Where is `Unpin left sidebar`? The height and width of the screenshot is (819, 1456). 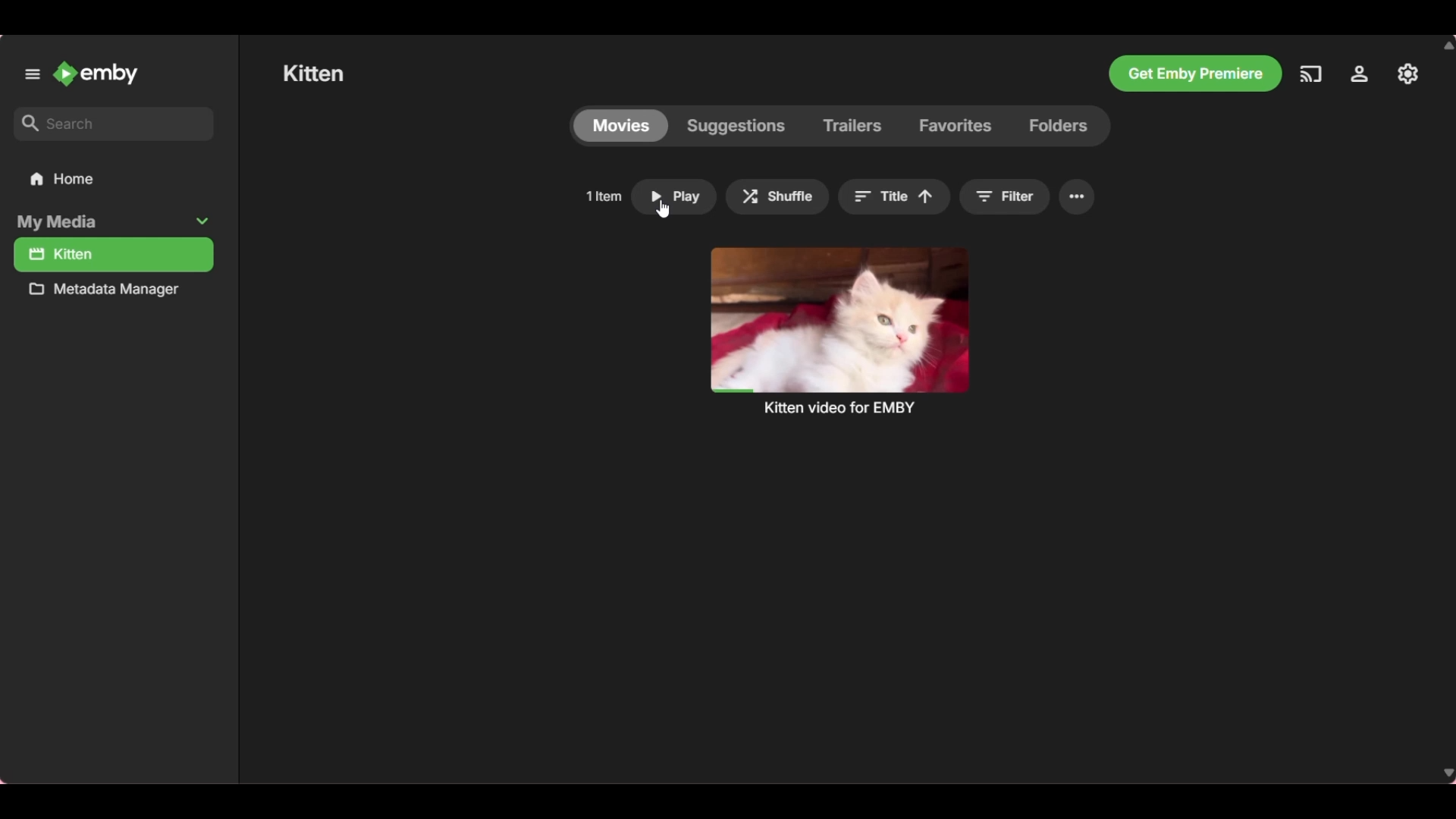
Unpin left sidebar is located at coordinates (32, 74).